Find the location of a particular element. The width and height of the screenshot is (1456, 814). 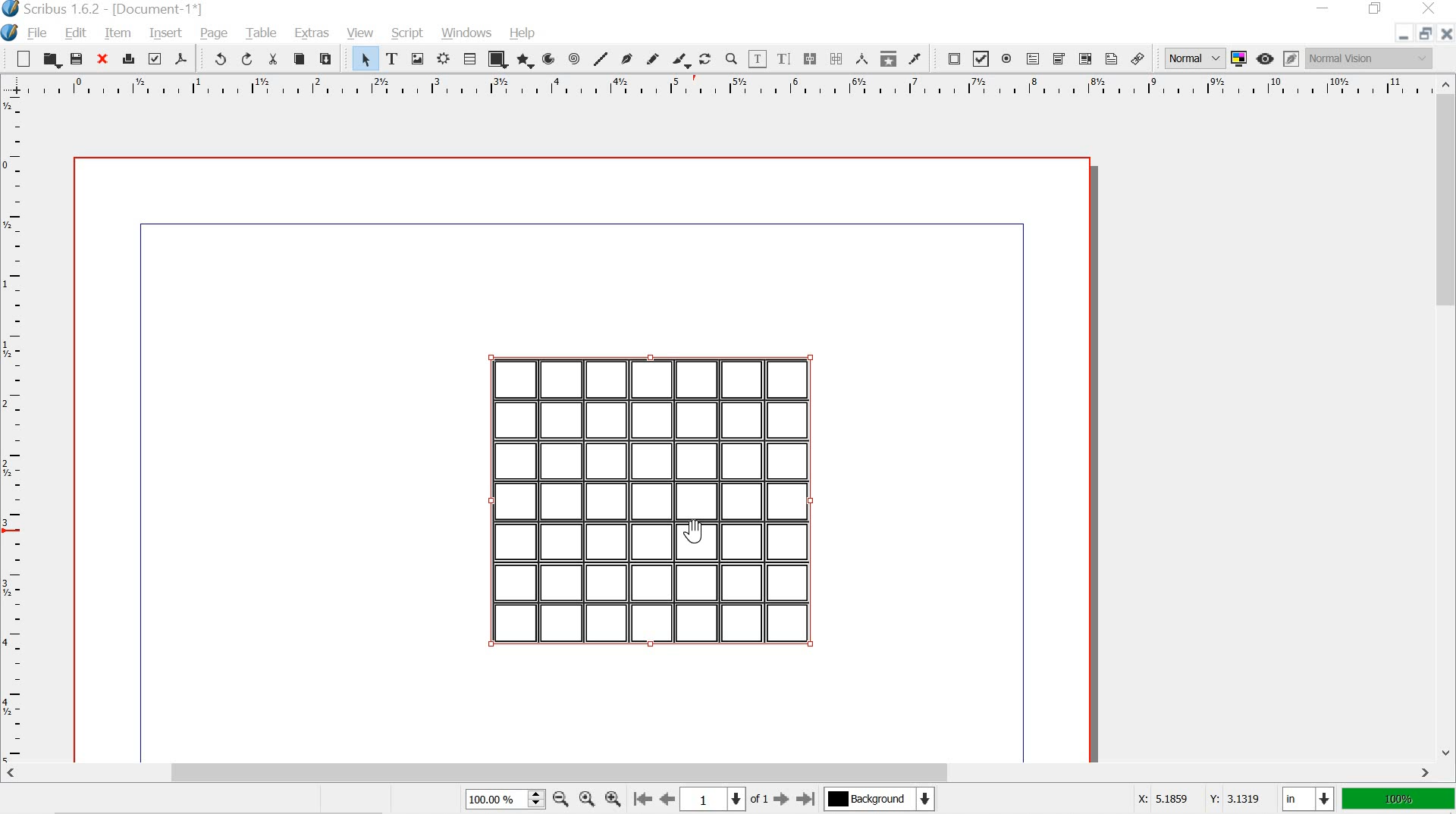

link text frames is located at coordinates (809, 59).